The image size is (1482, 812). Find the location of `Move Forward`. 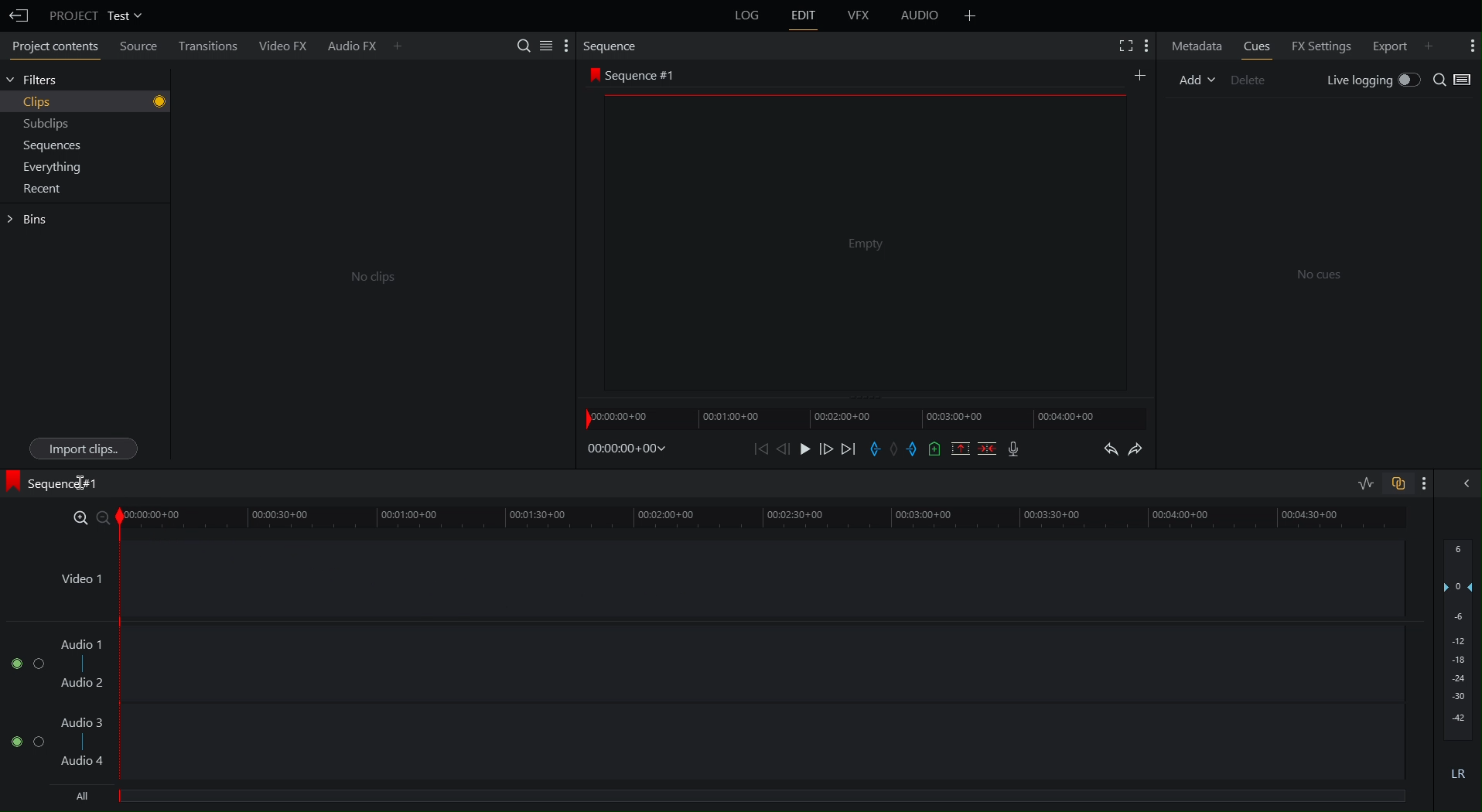

Move Forward is located at coordinates (828, 449).